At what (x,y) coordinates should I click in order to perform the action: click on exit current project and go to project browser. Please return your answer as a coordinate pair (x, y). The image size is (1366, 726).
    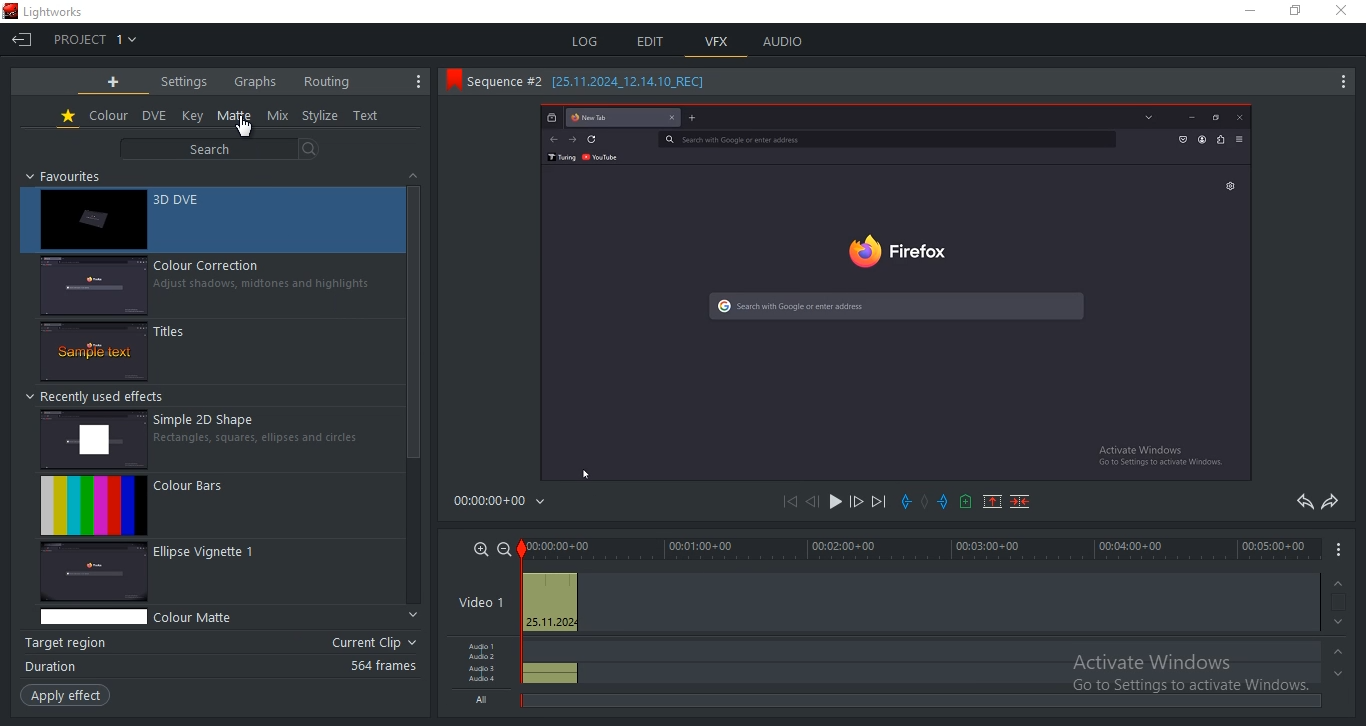
    Looking at the image, I should click on (23, 41).